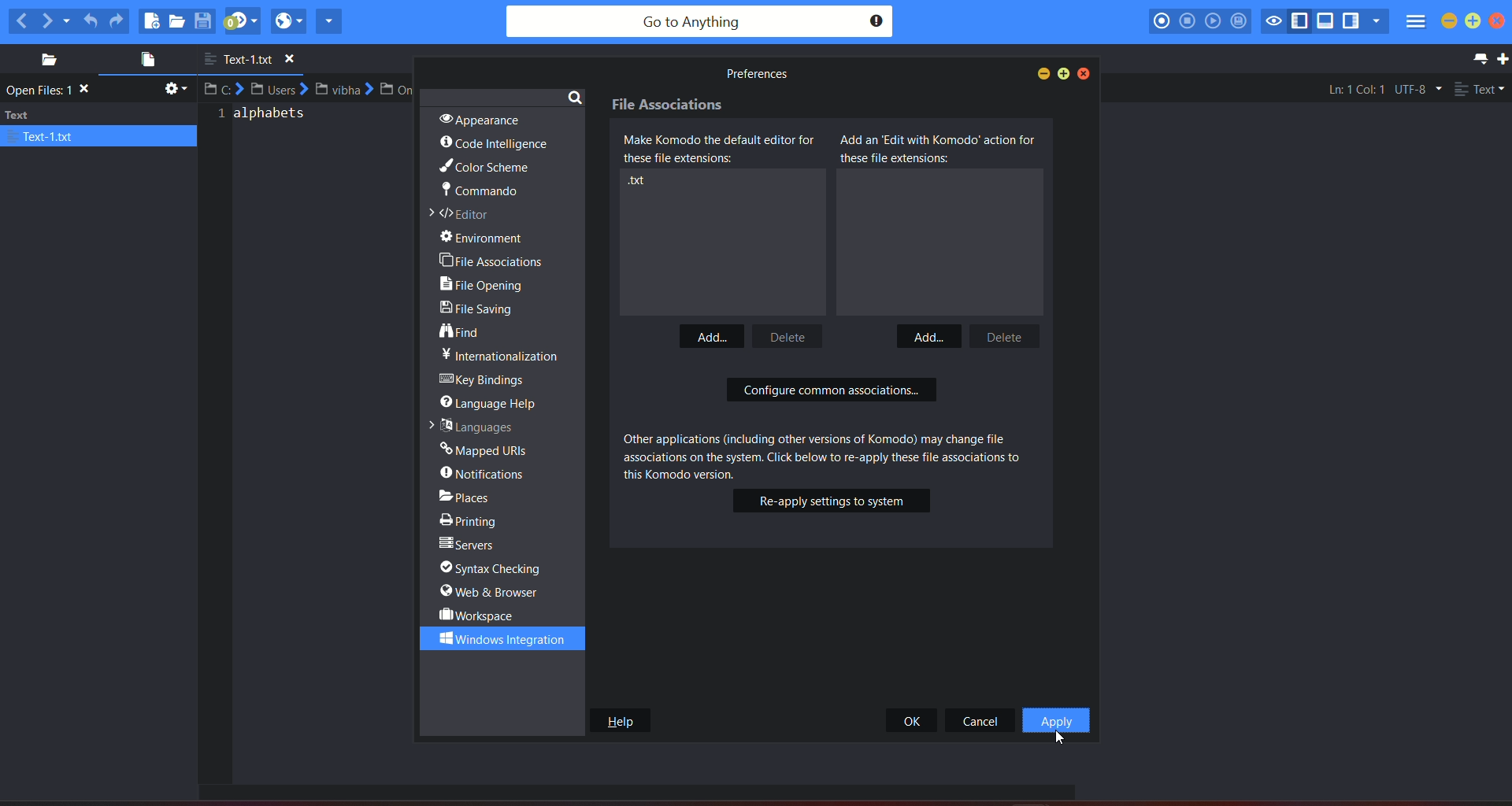 Image resolution: width=1512 pixels, height=806 pixels. Describe the element at coordinates (266, 119) in the screenshot. I see `text` at that location.